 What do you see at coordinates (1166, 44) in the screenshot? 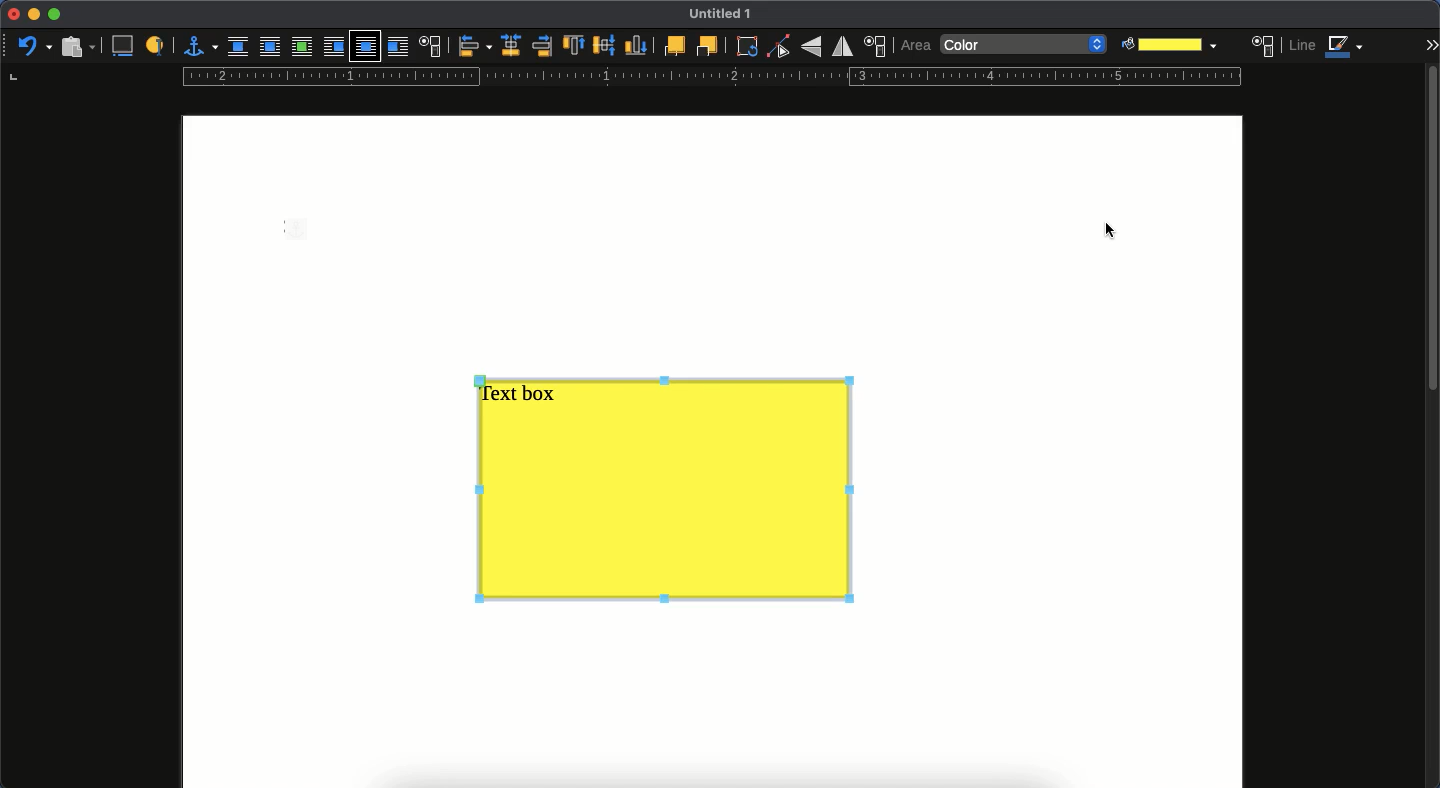
I see `yellow` at bounding box center [1166, 44].